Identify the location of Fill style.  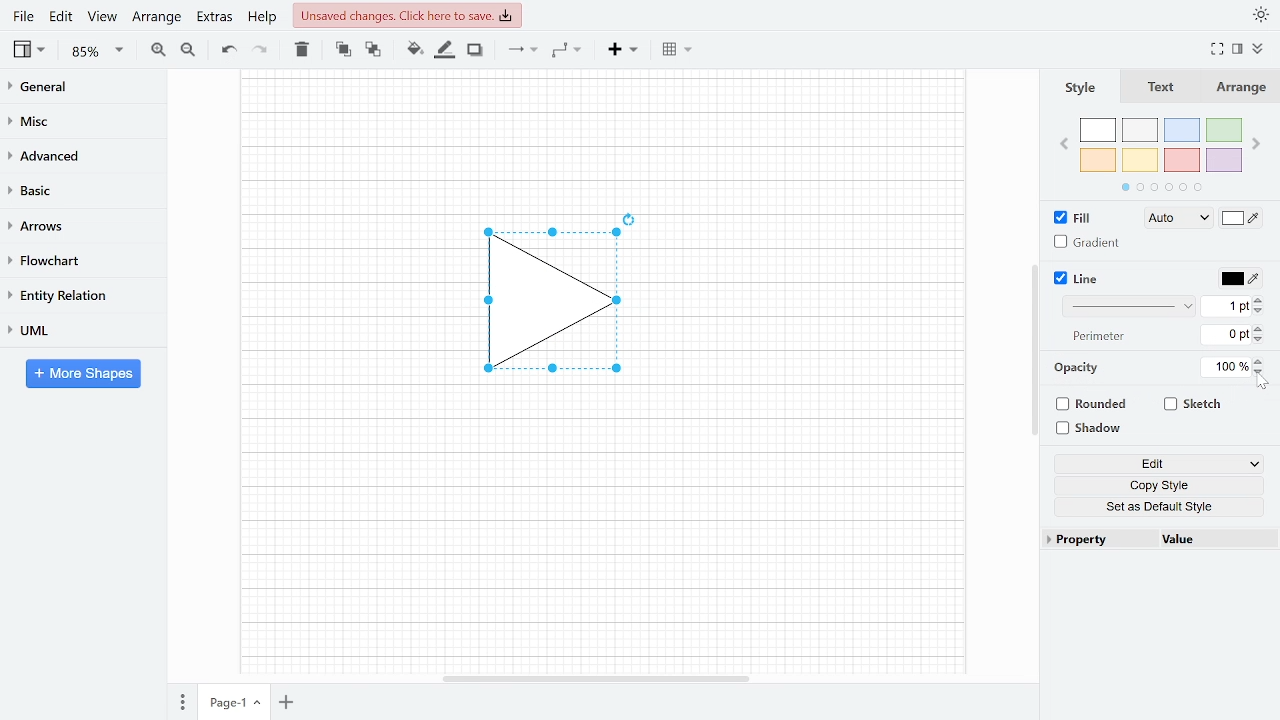
(1174, 219).